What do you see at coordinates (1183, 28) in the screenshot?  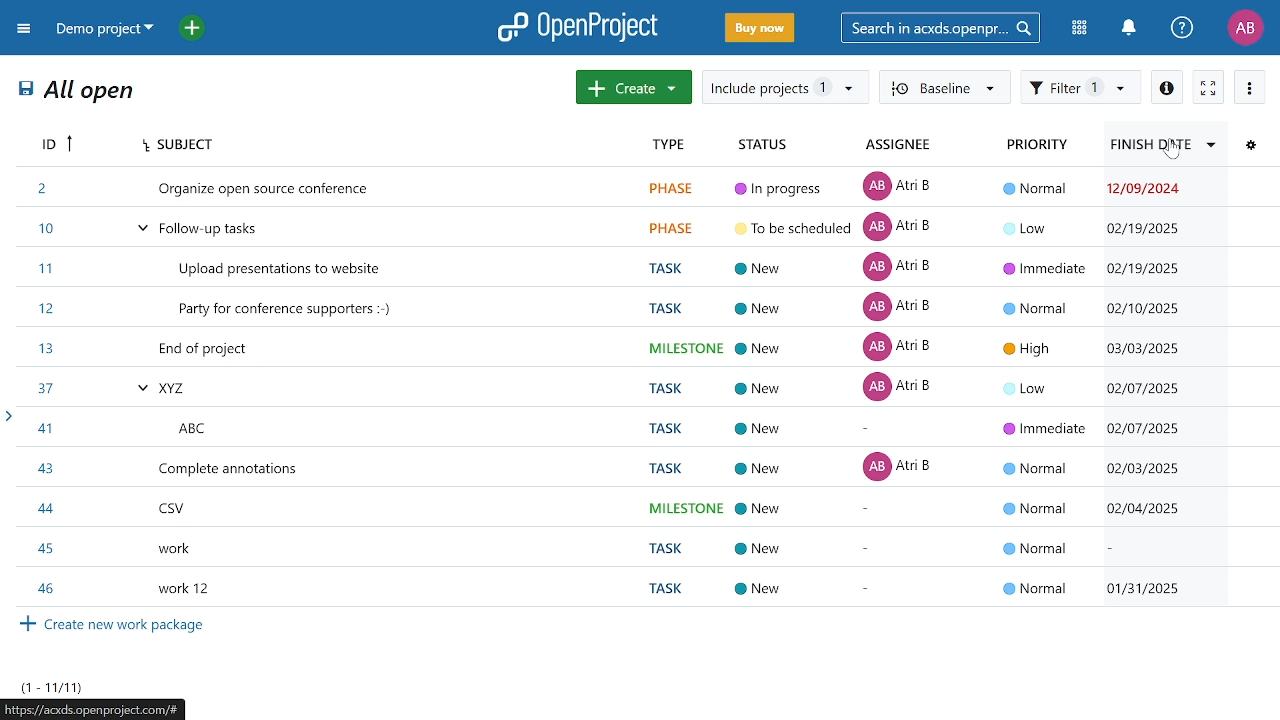 I see `help` at bounding box center [1183, 28].